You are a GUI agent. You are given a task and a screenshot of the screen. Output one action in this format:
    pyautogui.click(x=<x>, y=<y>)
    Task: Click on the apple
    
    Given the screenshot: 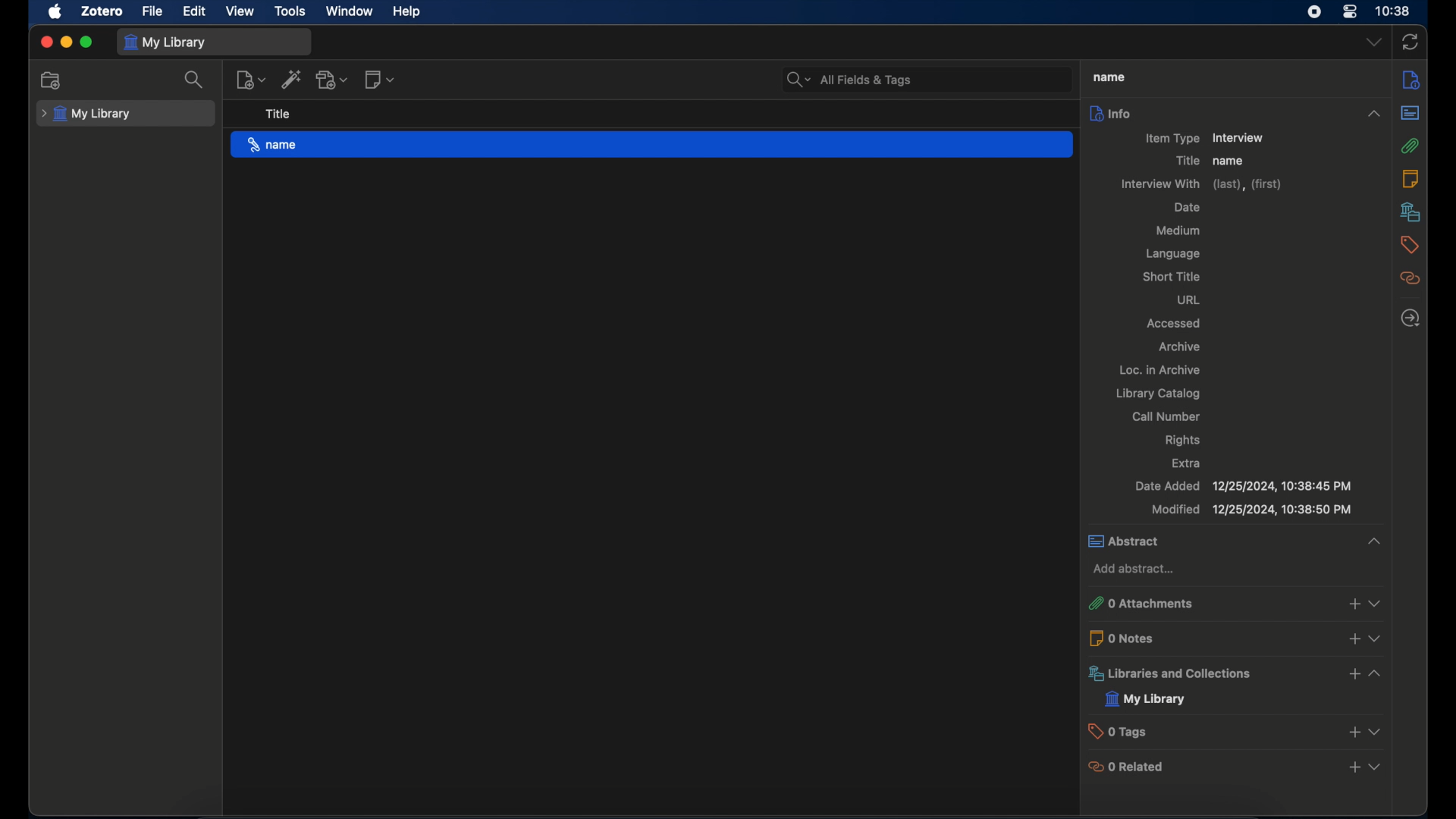 What is the action you would take?
    pyautogui.click(x=55, y=12)
    